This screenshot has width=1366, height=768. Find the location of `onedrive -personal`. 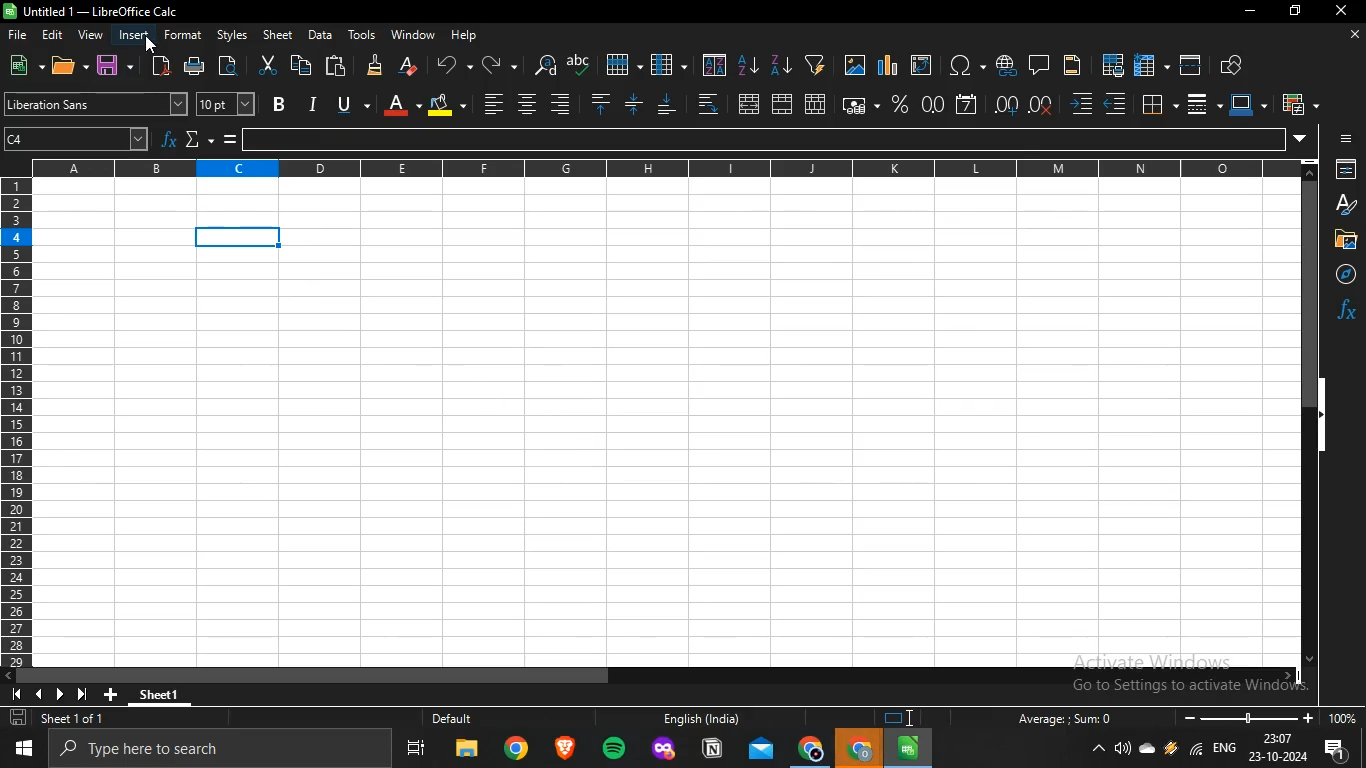

onedrive -personal is located at coordinates (1147, 753).